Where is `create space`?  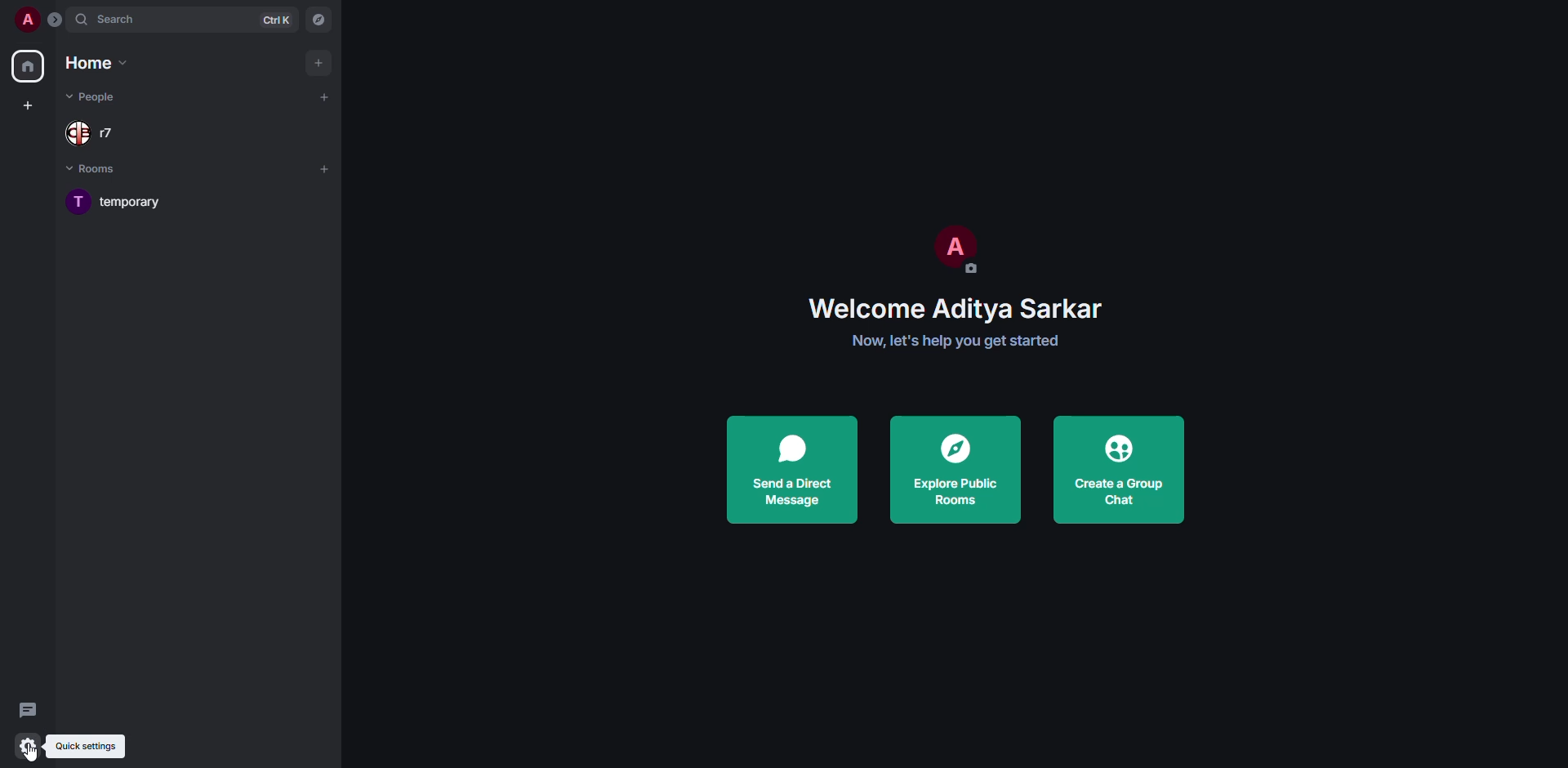
create space is located at coordinates (25, 105).